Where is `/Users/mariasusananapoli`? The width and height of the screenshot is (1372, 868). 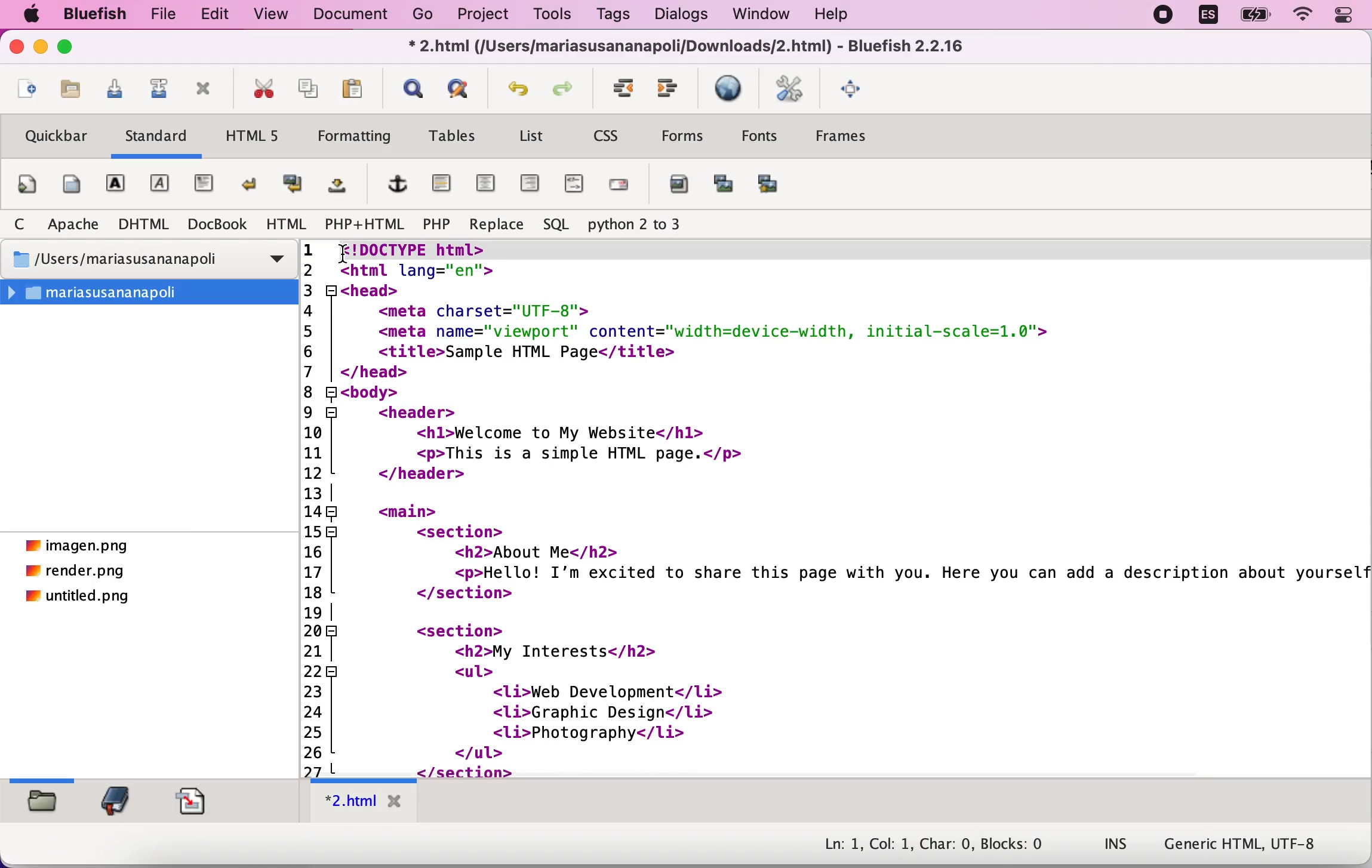 /Users/mariasusananapoli is located at coordinates (151, 260).